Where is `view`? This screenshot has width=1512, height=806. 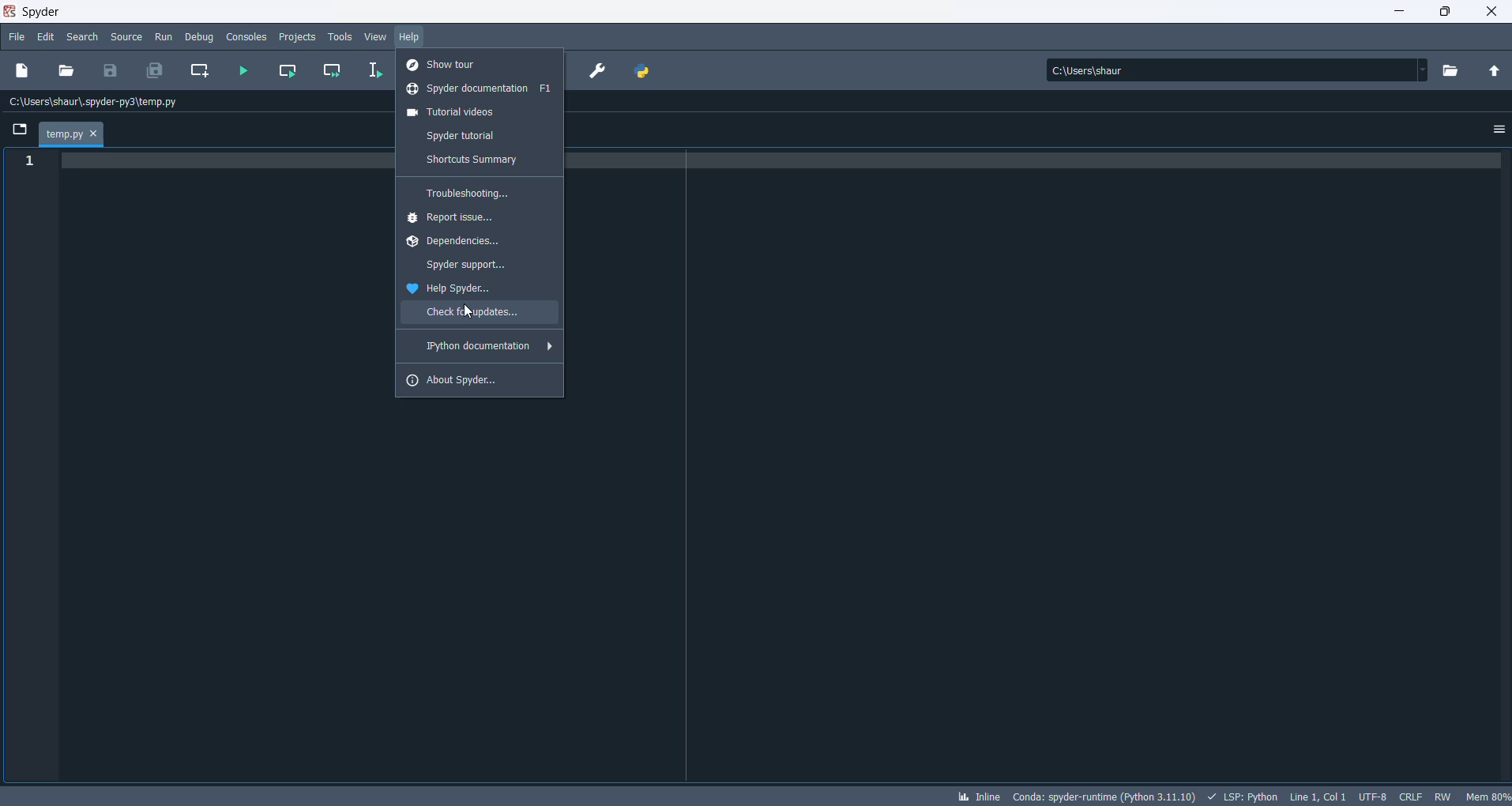
view is located at coordinates (377, 37).